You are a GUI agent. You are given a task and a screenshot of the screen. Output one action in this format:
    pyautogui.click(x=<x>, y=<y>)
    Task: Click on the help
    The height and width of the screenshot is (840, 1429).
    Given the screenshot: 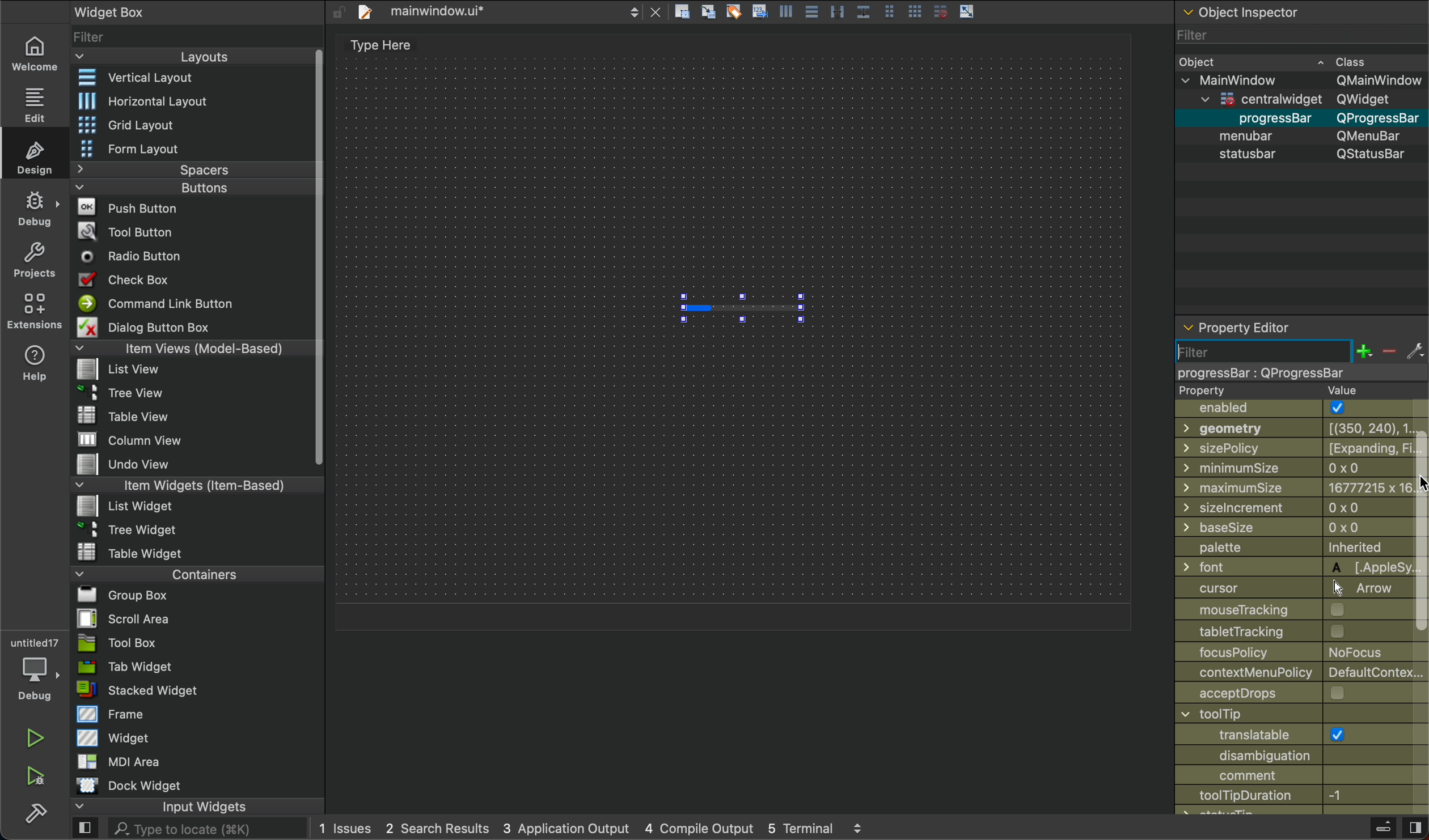 What is the action you would take?
    pyautogui.click(x=36, y=362)
    